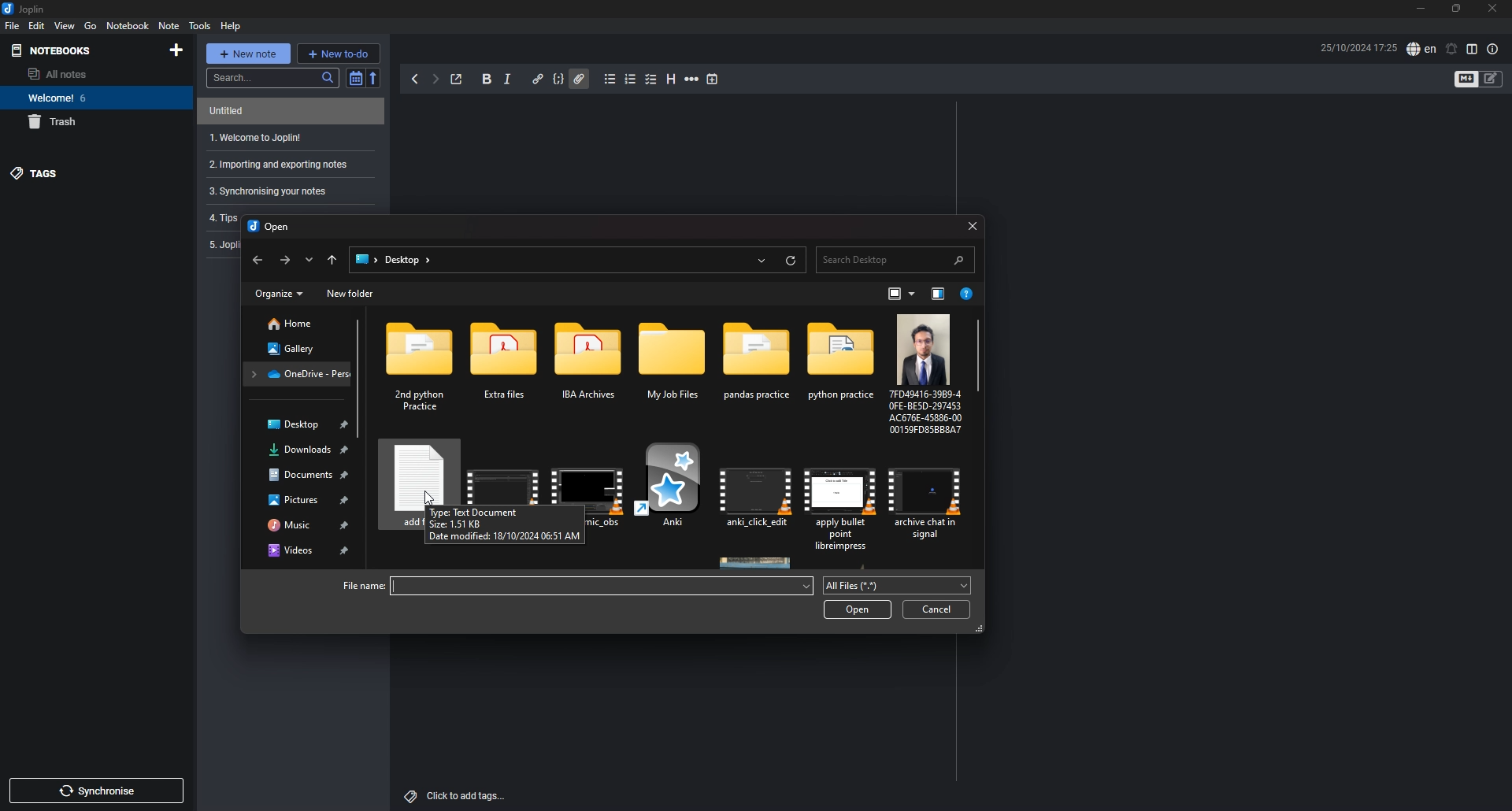  I want to click on close, so click(1493, 8).